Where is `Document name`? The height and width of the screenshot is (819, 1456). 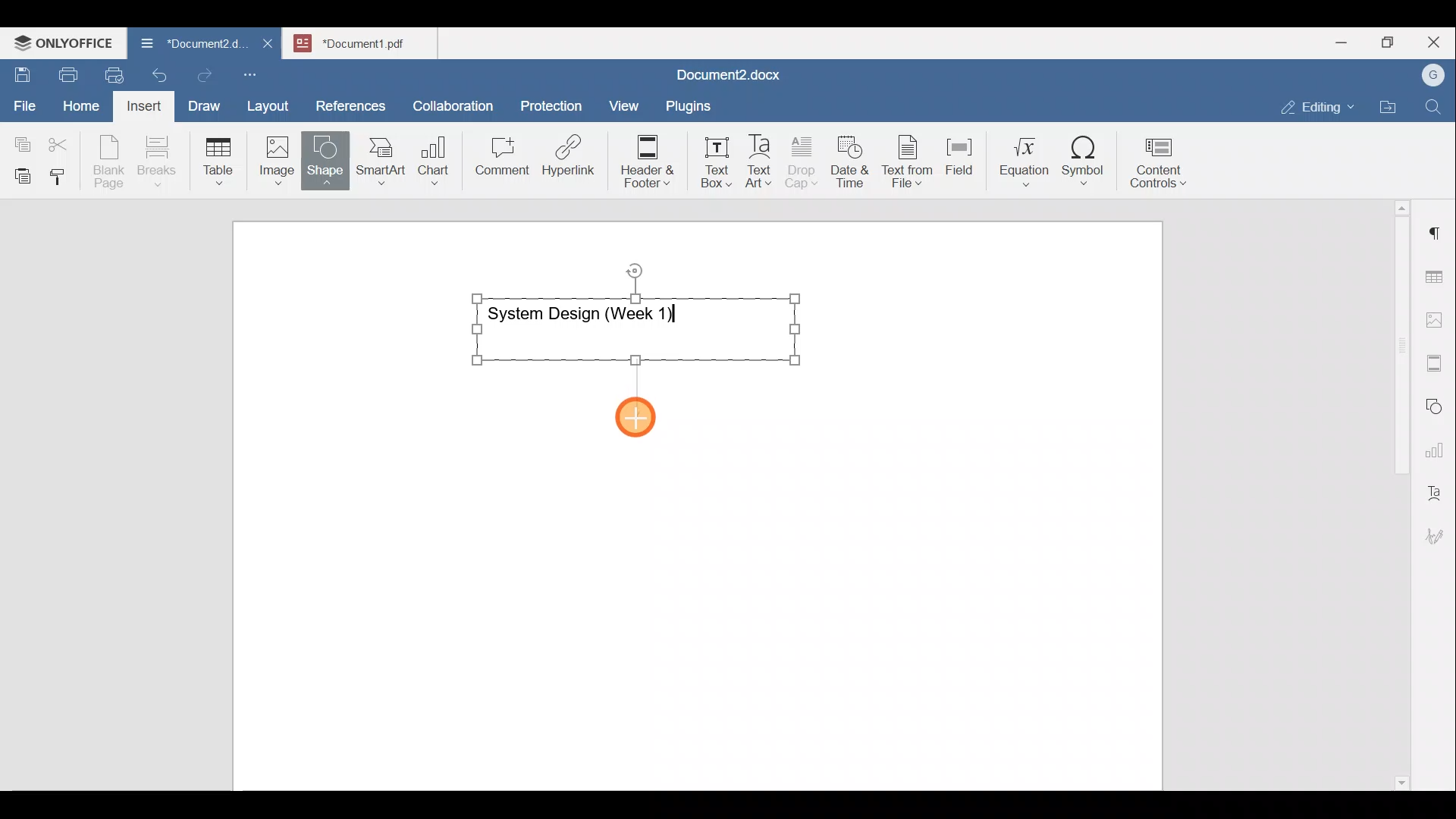 Document name is located at coordinates (369, 41).